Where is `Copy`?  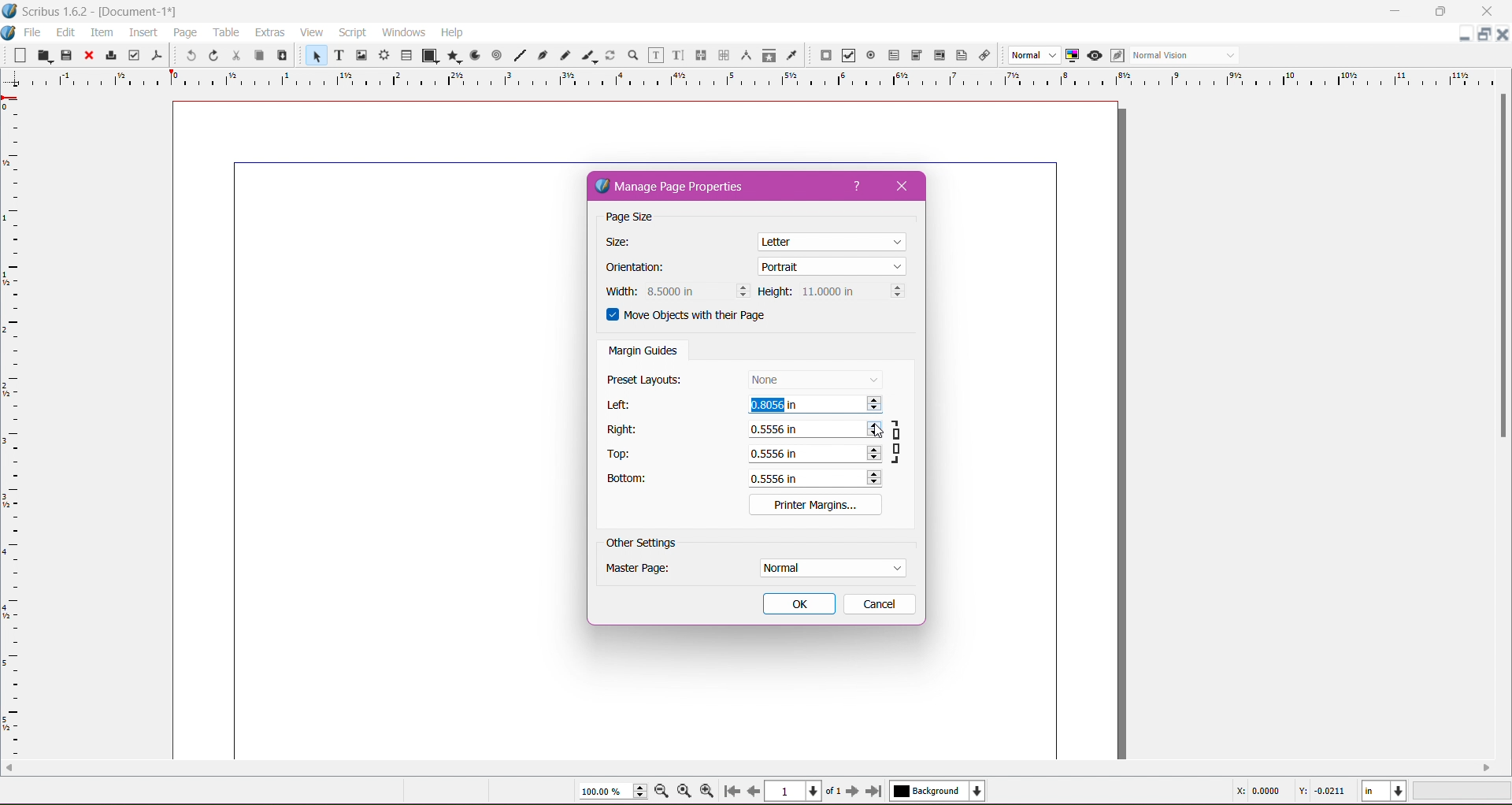 Copy is located at coordinates (258, 54).